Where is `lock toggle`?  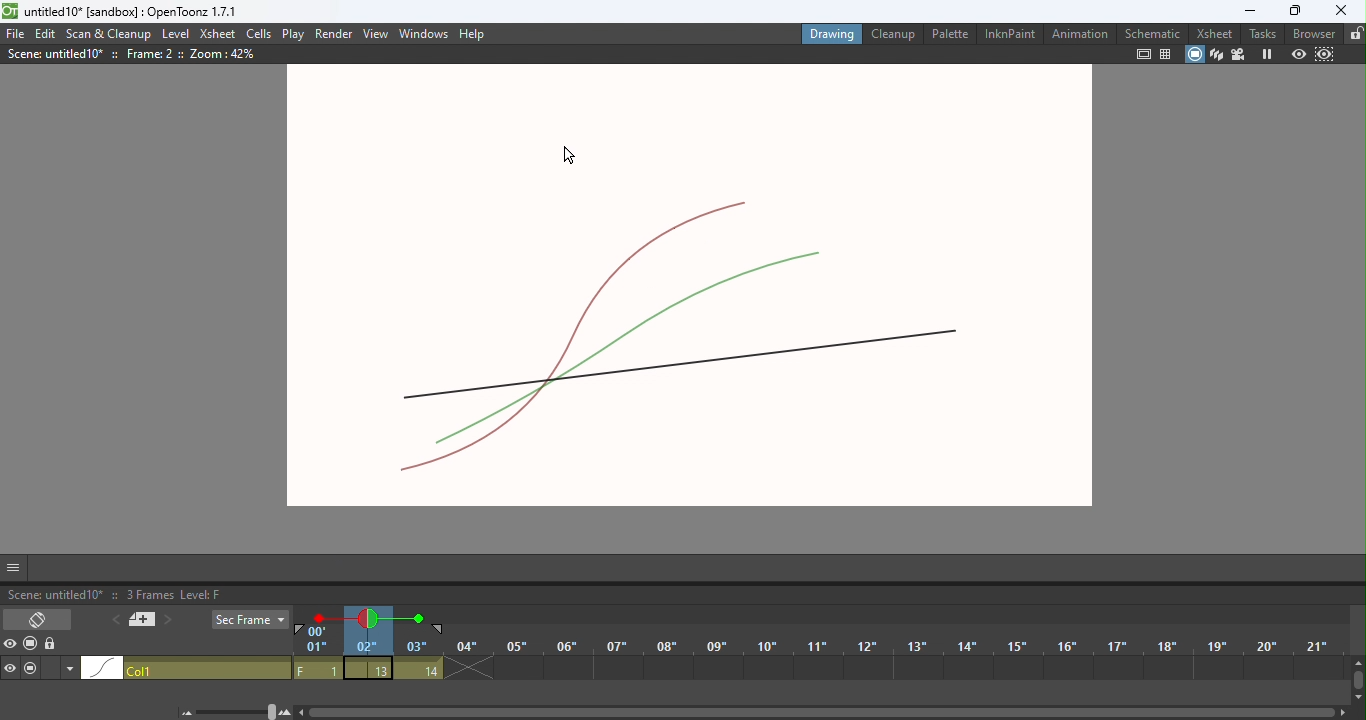
lock toggle is located at coordinates (52, 647).